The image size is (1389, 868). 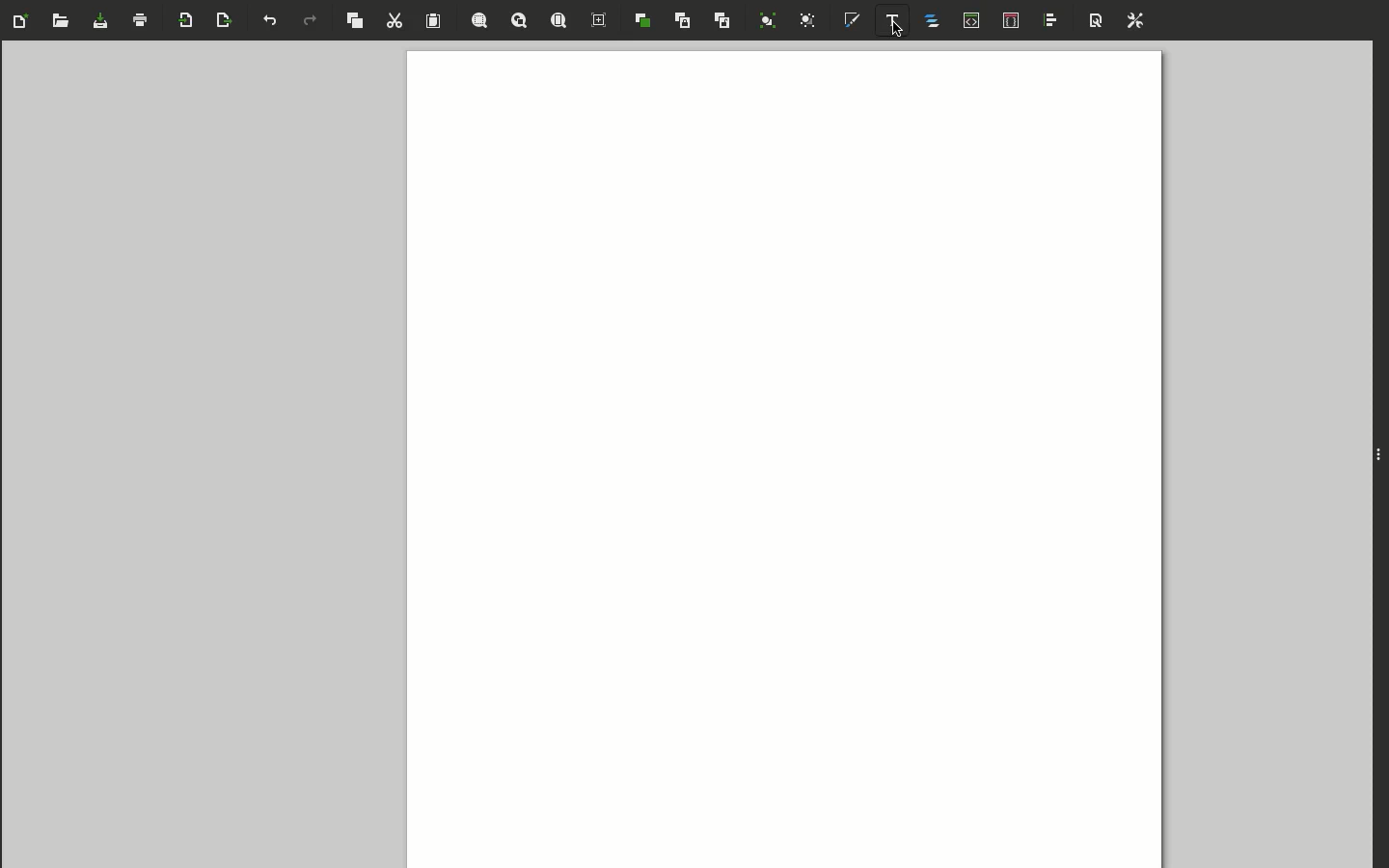 I want to click on Open, so click(x=62, y=25).